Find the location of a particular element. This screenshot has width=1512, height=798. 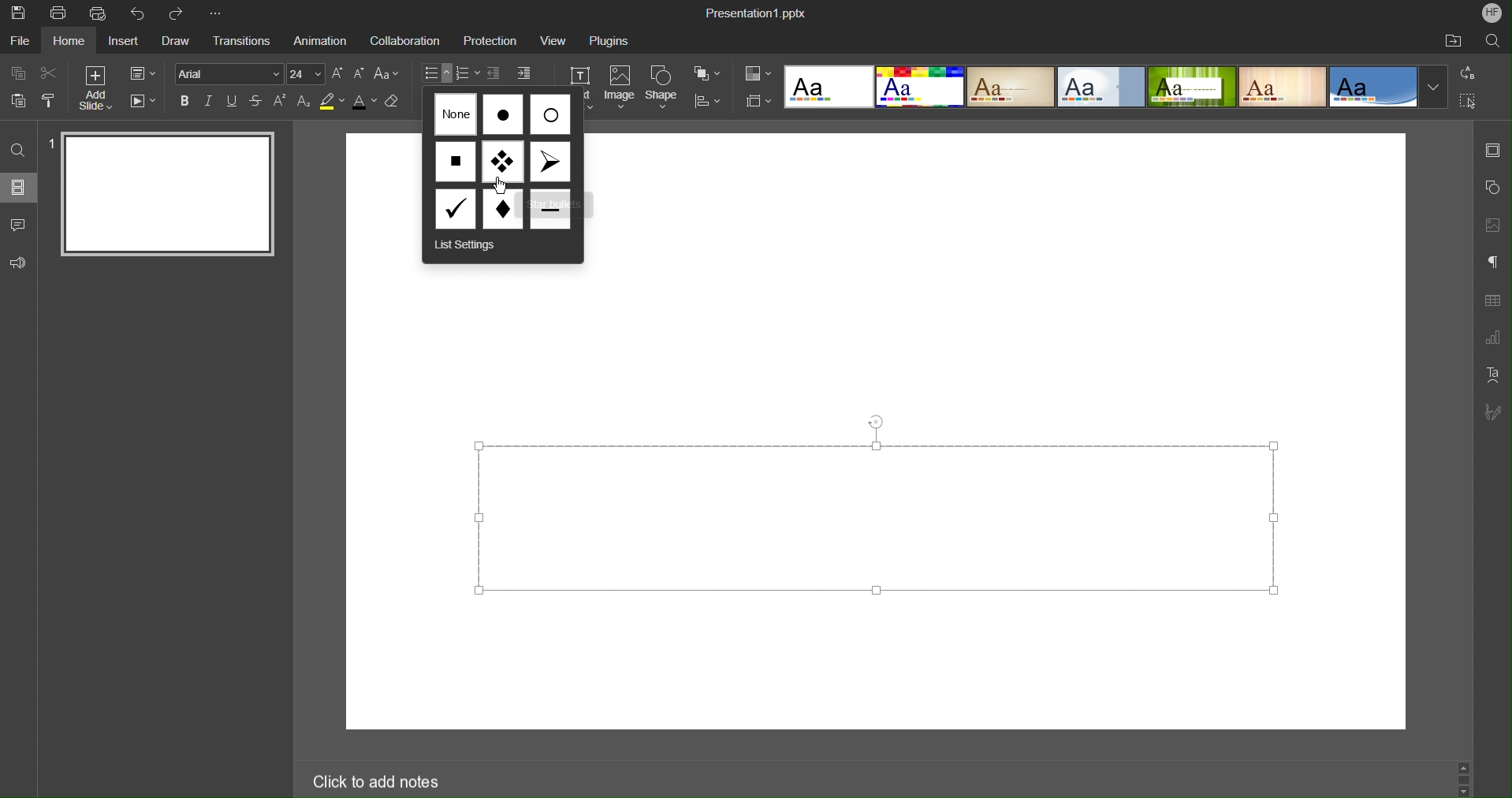

More is located at coordinates (222, 13).